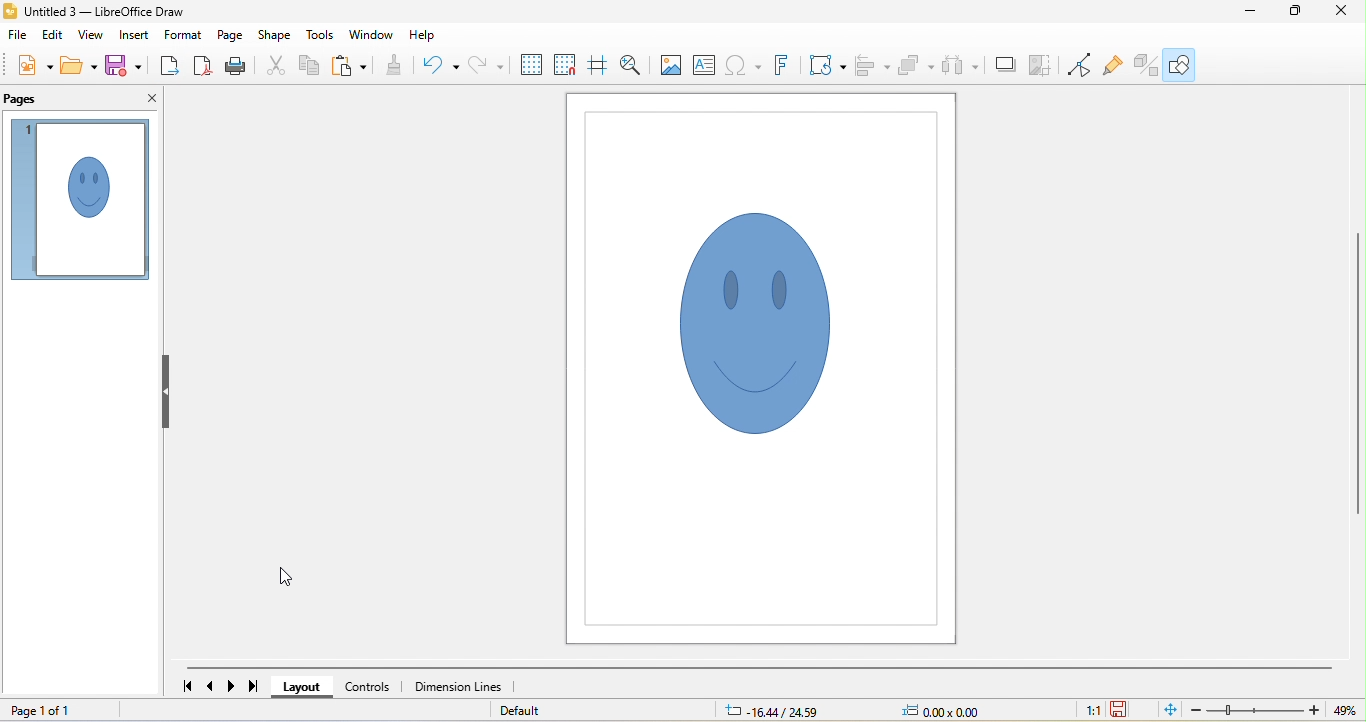 This screenshot has width=1366, height=722. What do you see at coordinates (1042, 65) in the screenshot?
I see `crop` at bounding box center [1042, 65].